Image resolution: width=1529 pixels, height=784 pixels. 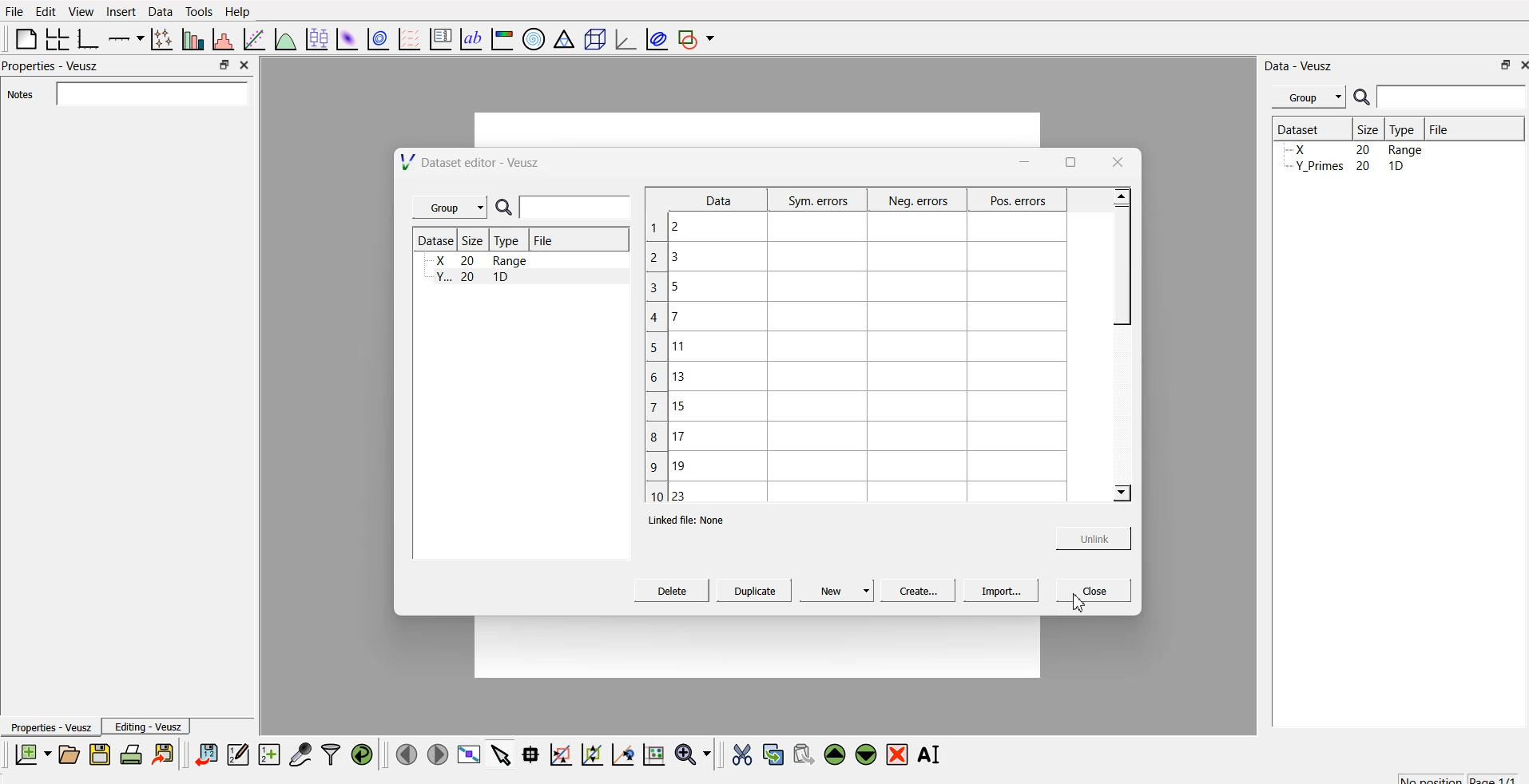 I want to click on draw rectangle to zoom, so click(x=560, y=754).